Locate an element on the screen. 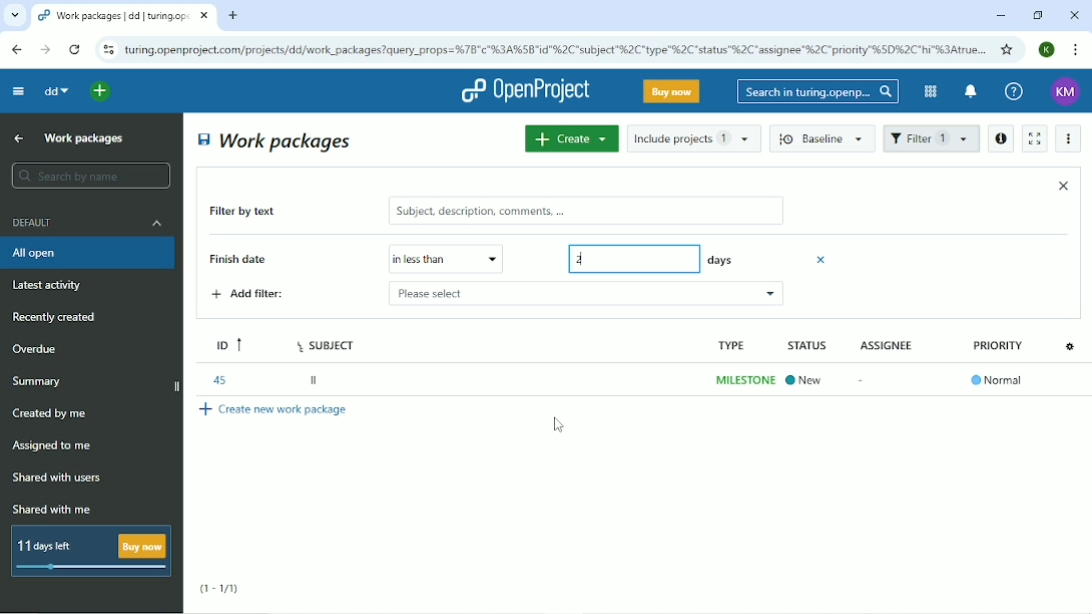 The width and height of the screenshot is (1092, 614). Activate zen mode is located at coordinates (1033, 138).